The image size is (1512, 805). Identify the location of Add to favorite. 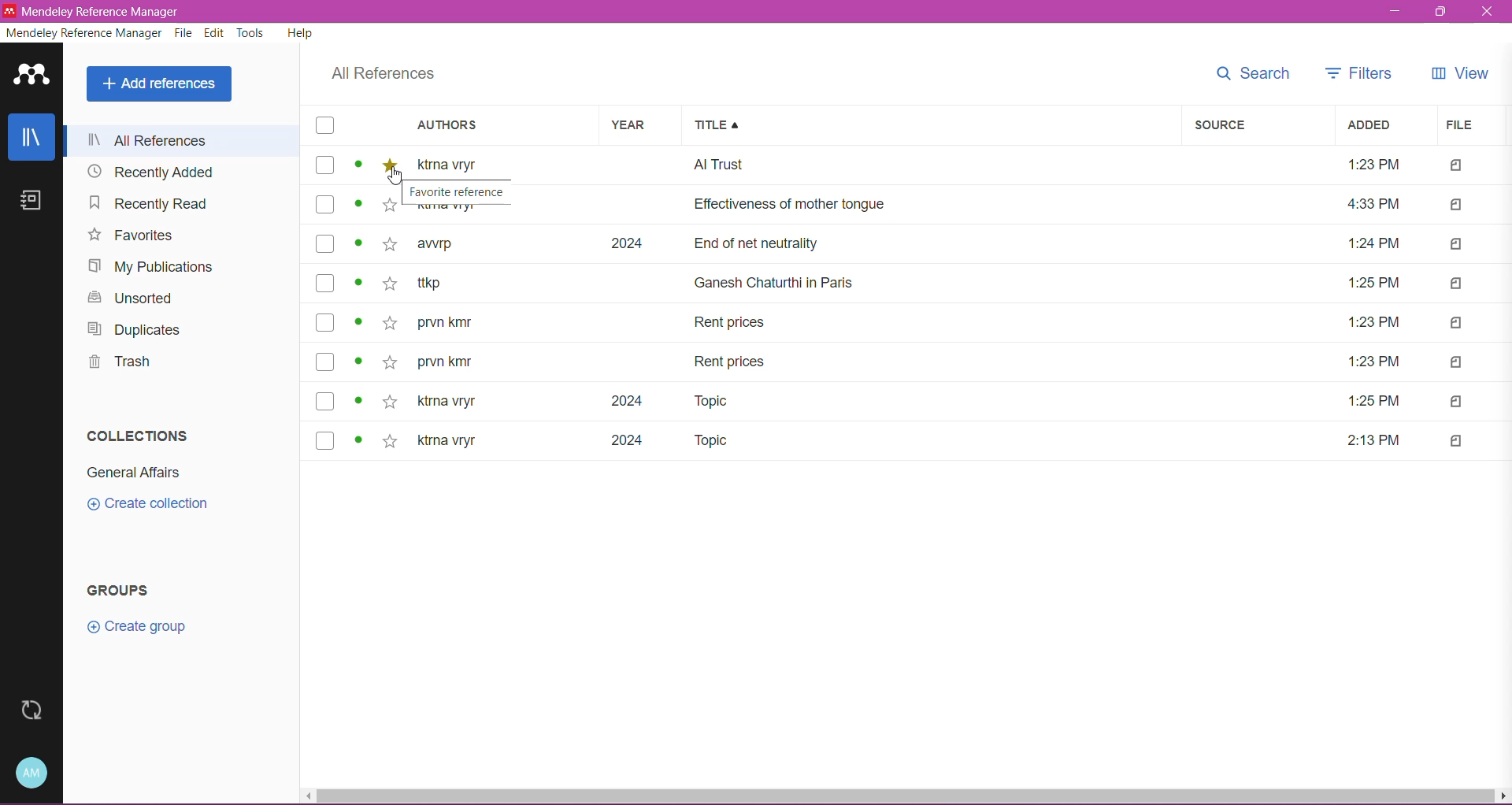
(390, 244).